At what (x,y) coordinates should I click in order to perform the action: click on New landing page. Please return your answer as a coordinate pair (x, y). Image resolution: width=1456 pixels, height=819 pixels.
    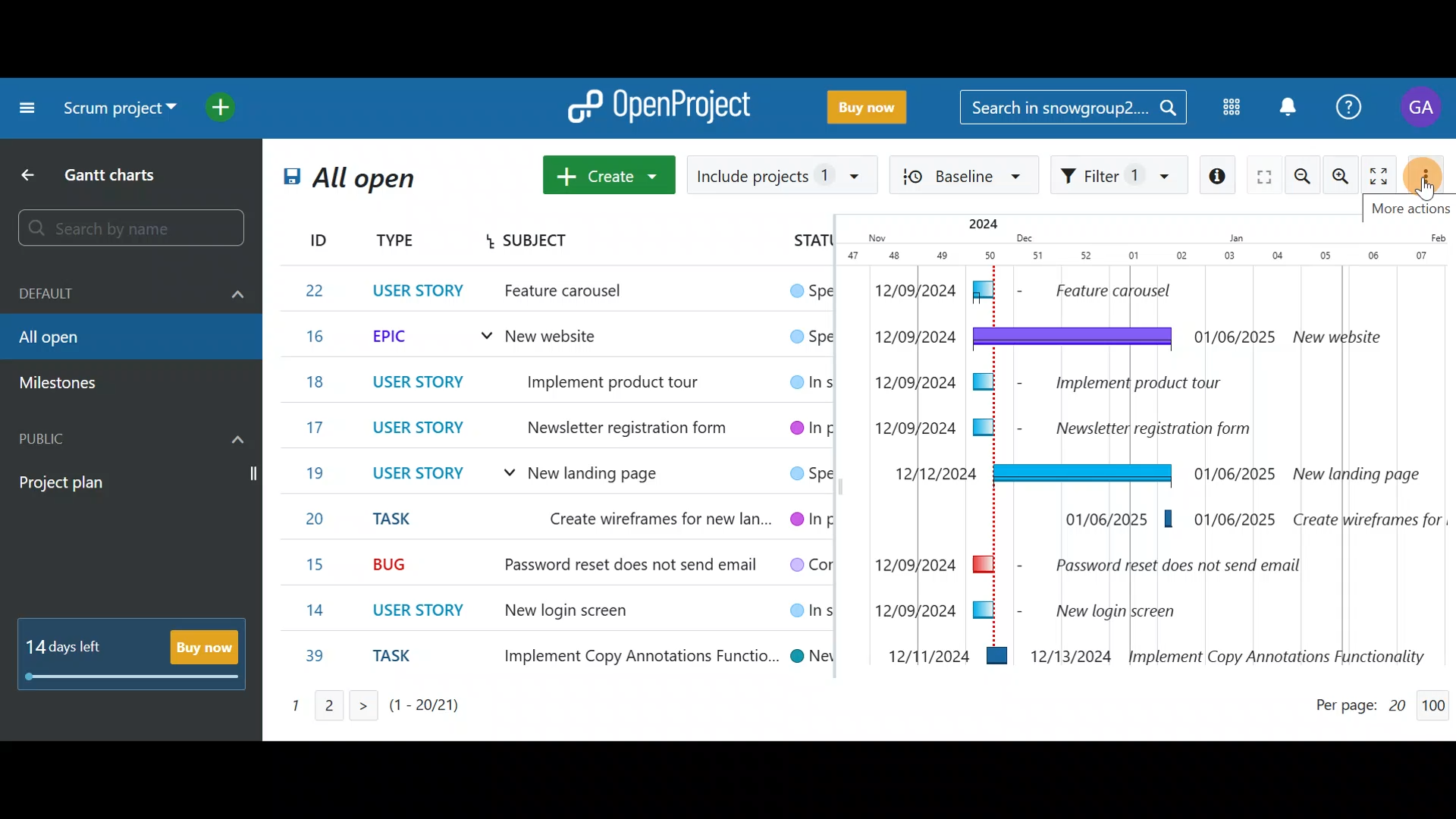
    Looking at the image, I should click on (620, 474).